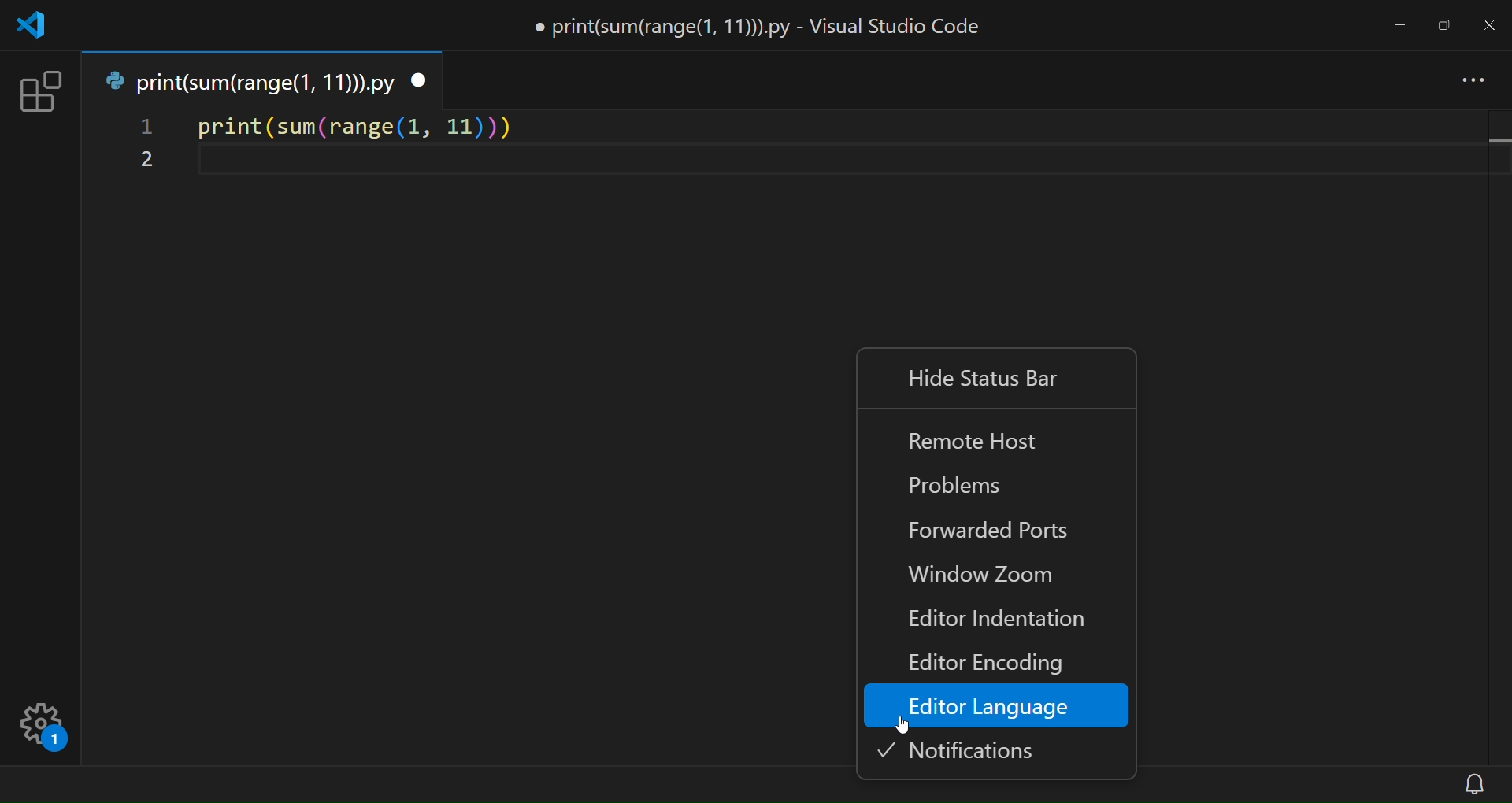  I want to click on problems, so click(969, 488).